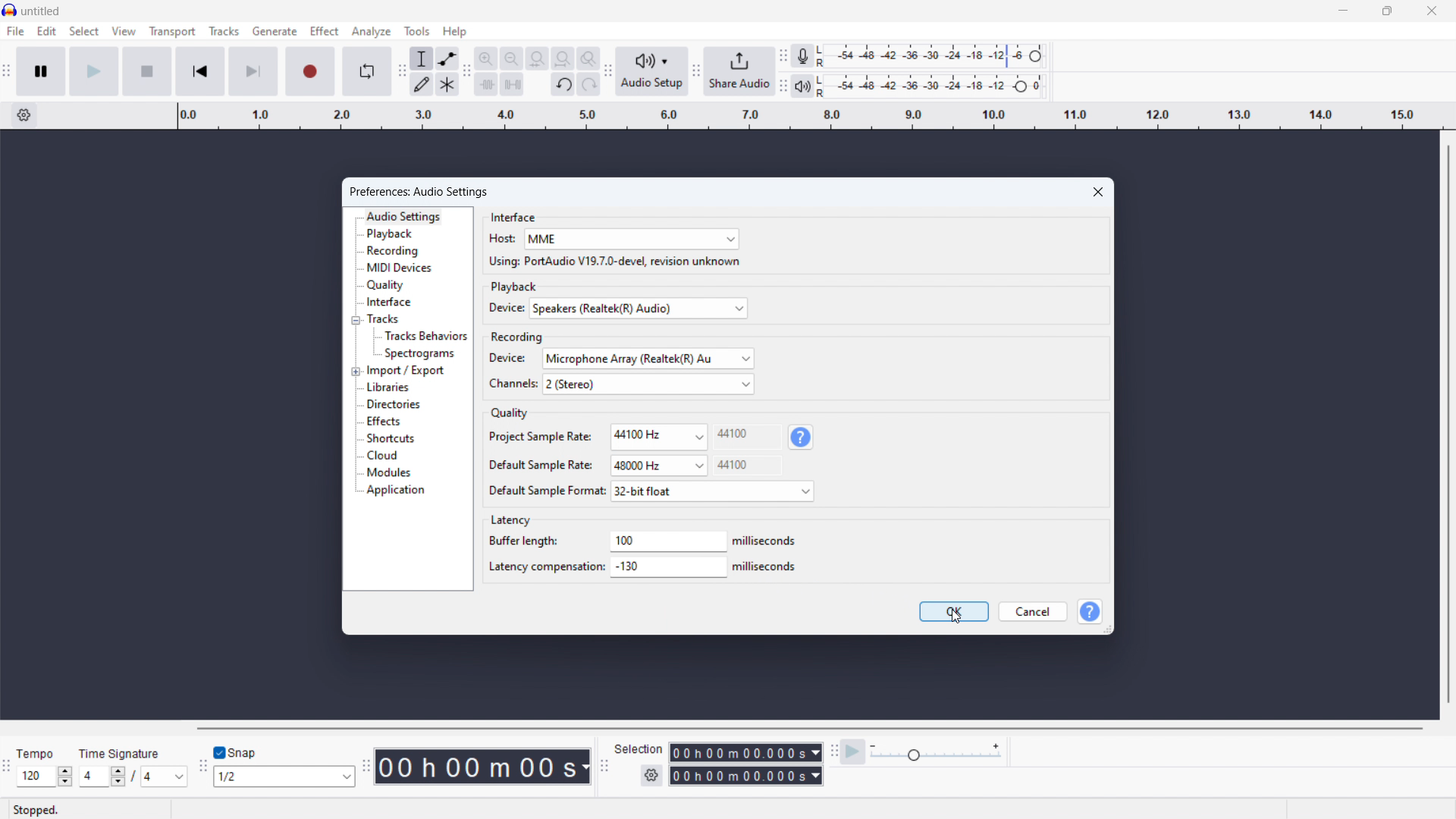  Describe the element at coordinates (200, 71) in the screenshot. I see `skip to start` at that location.